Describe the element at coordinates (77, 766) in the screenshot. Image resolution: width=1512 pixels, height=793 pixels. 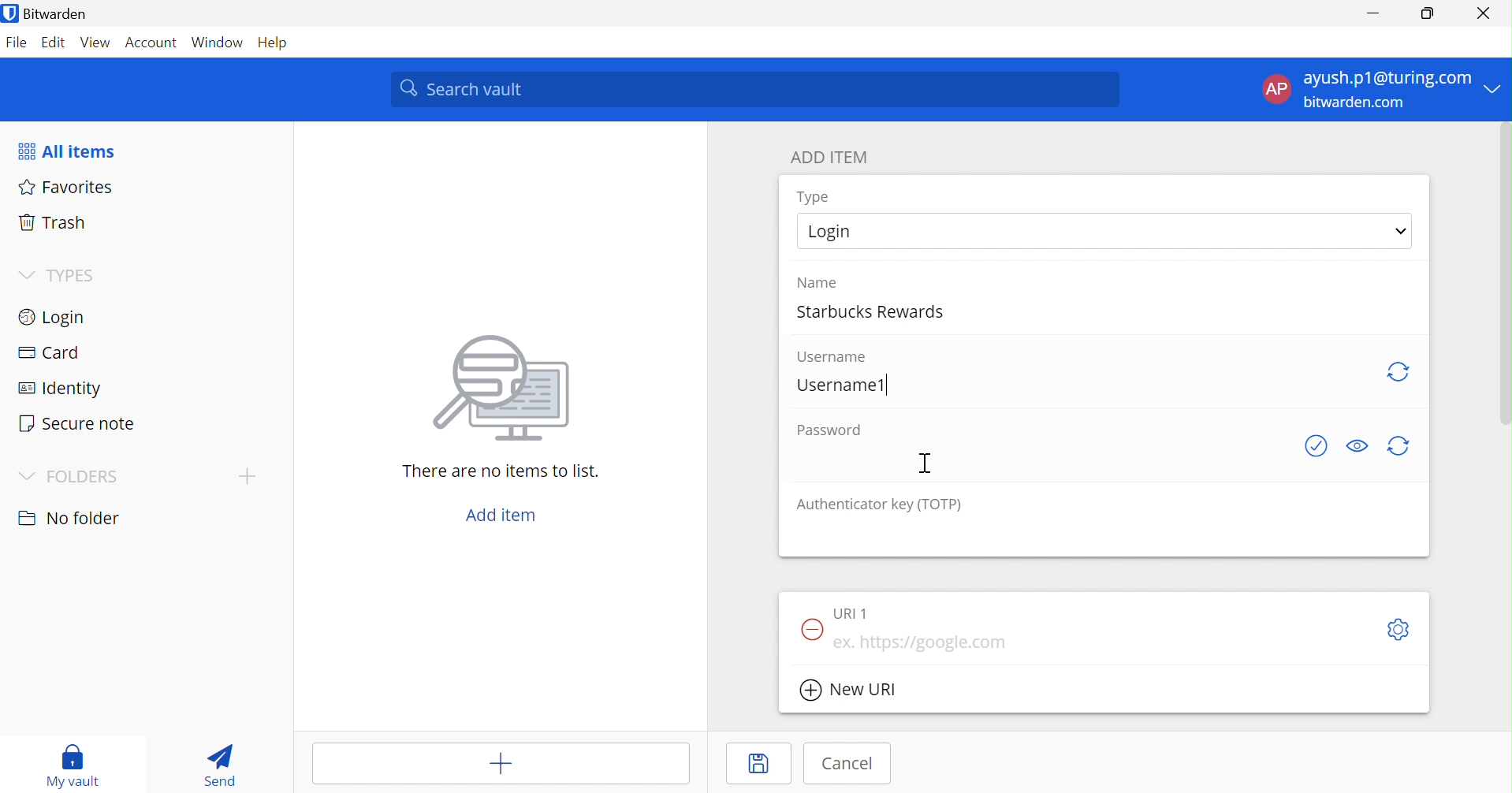
I see `My vault` at that location.